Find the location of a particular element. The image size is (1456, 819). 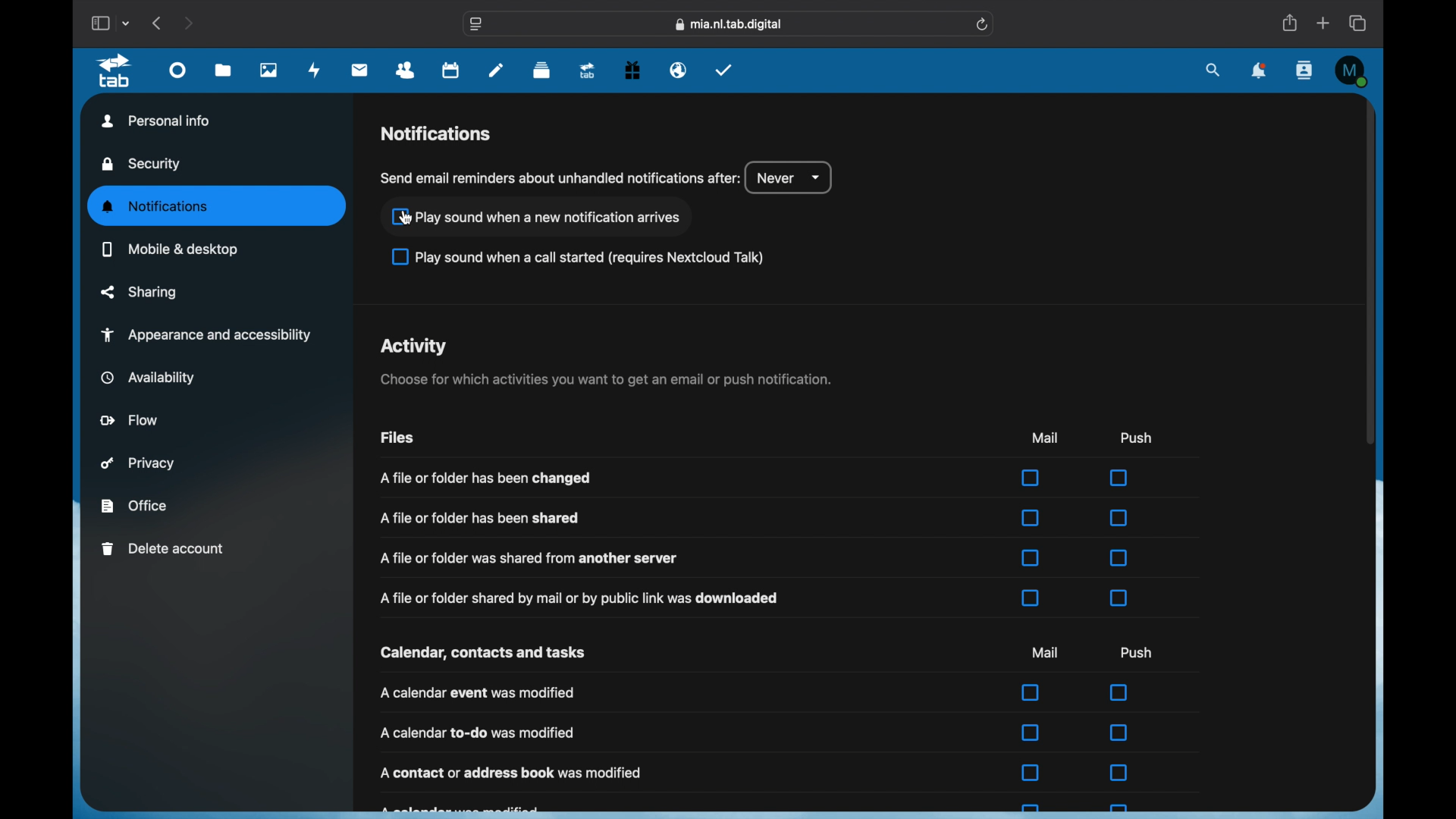

contacts is located at coordinates (1306, 71).